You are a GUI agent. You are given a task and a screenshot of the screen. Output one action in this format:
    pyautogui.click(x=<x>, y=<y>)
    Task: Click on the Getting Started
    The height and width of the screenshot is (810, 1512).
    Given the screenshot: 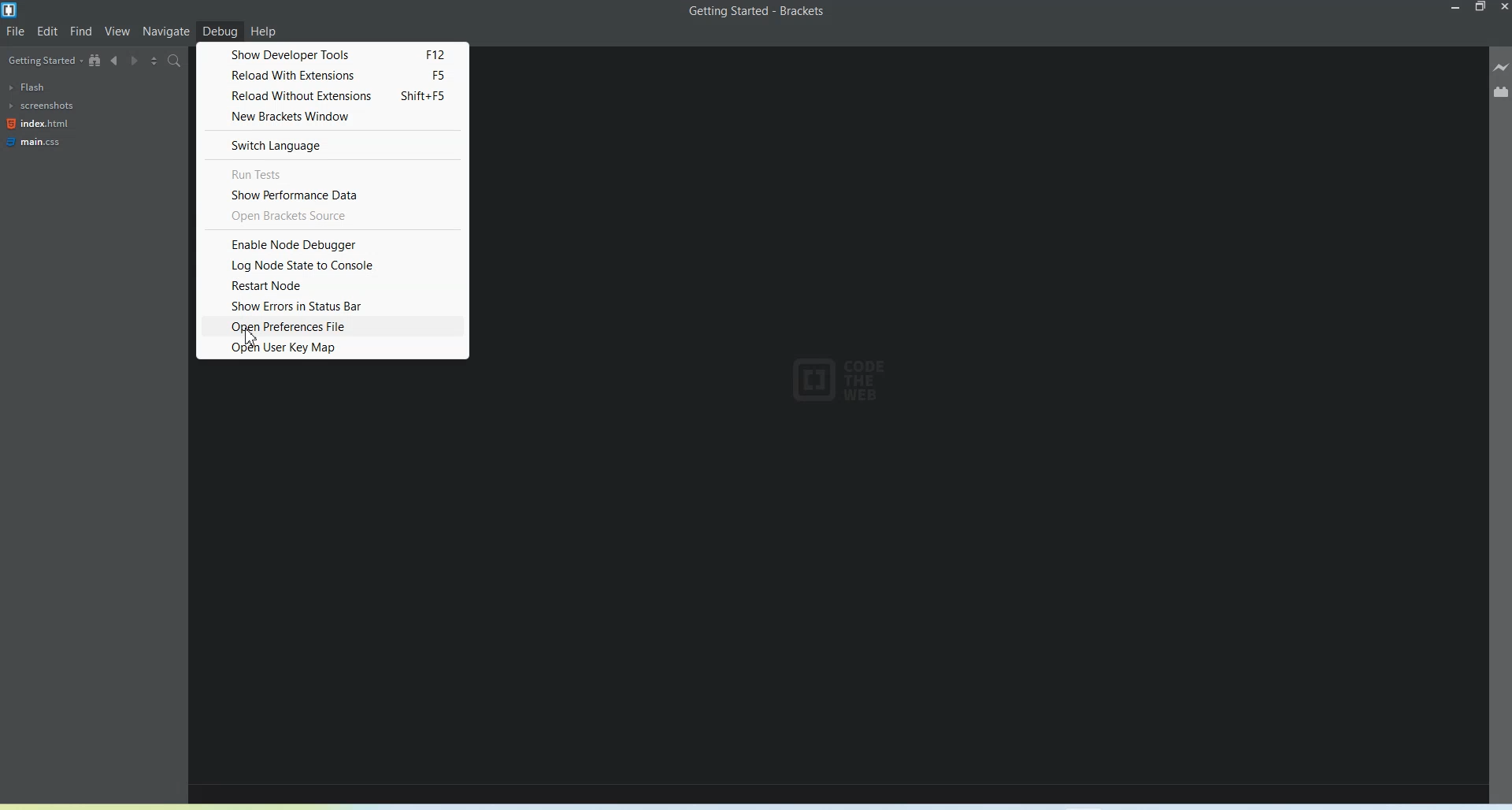 What is the action you would take?
    pyautogui.click(x=43, y=60)
    